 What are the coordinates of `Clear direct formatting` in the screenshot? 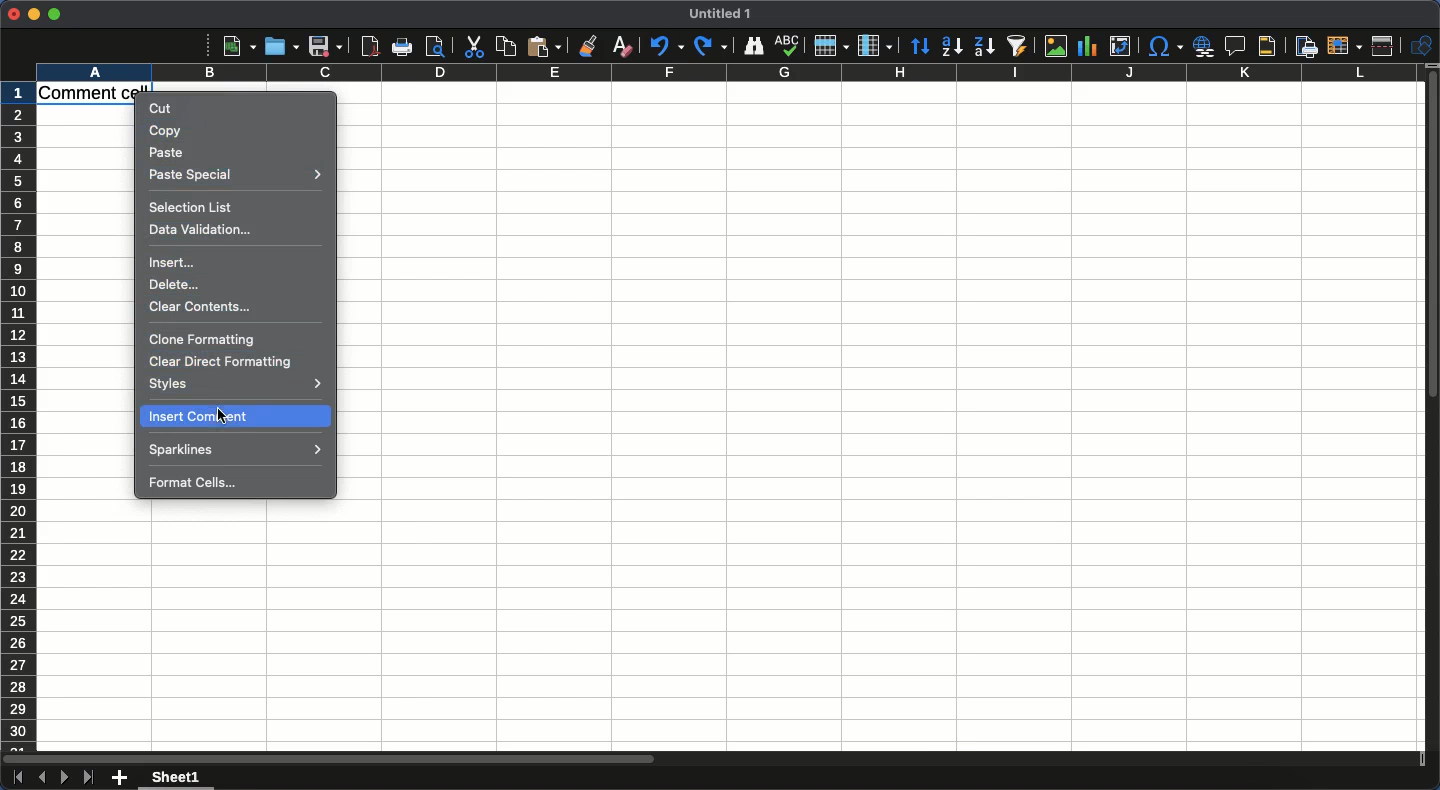 It's located at (222, 362).